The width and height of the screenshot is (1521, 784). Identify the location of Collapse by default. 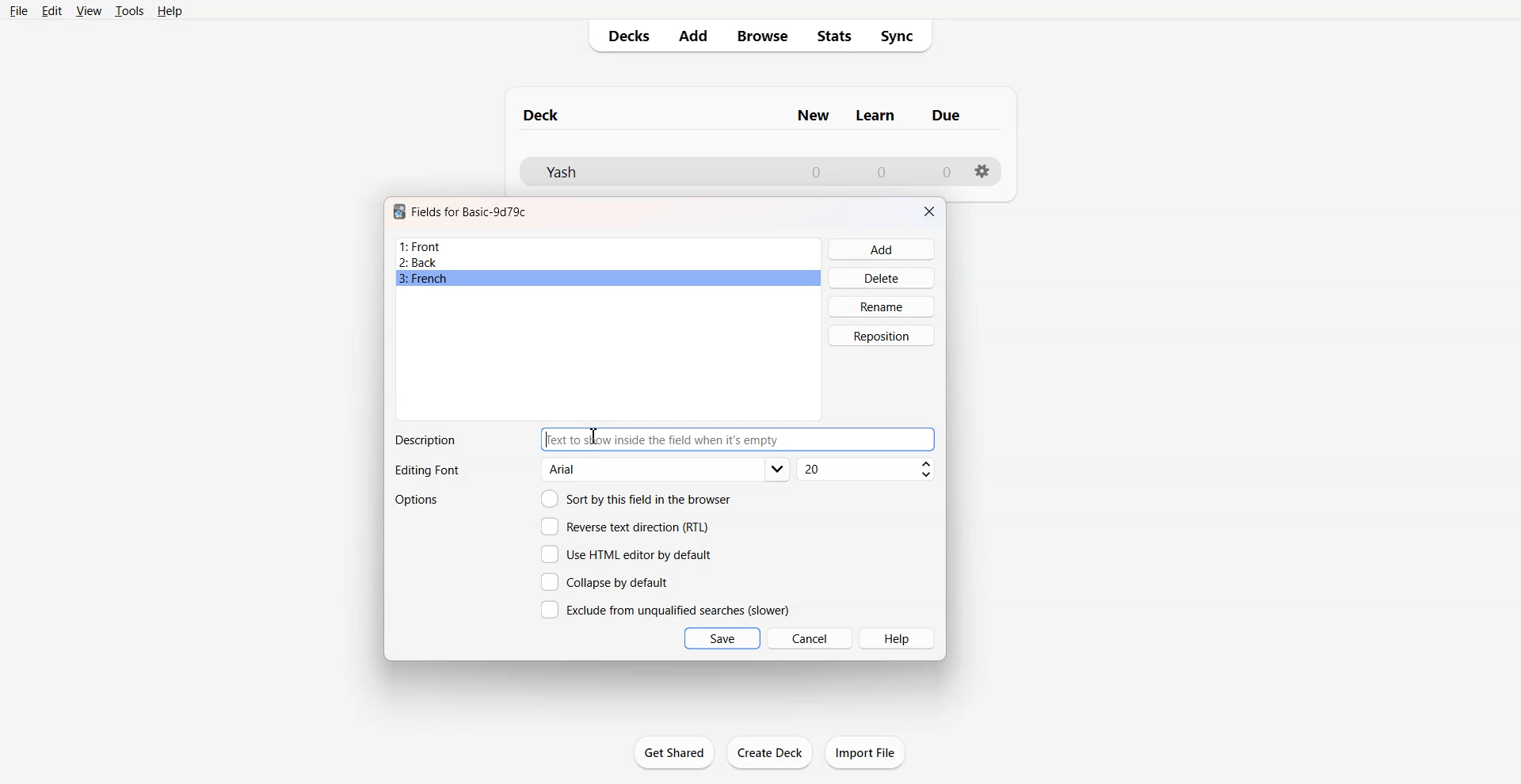
(608, 581).